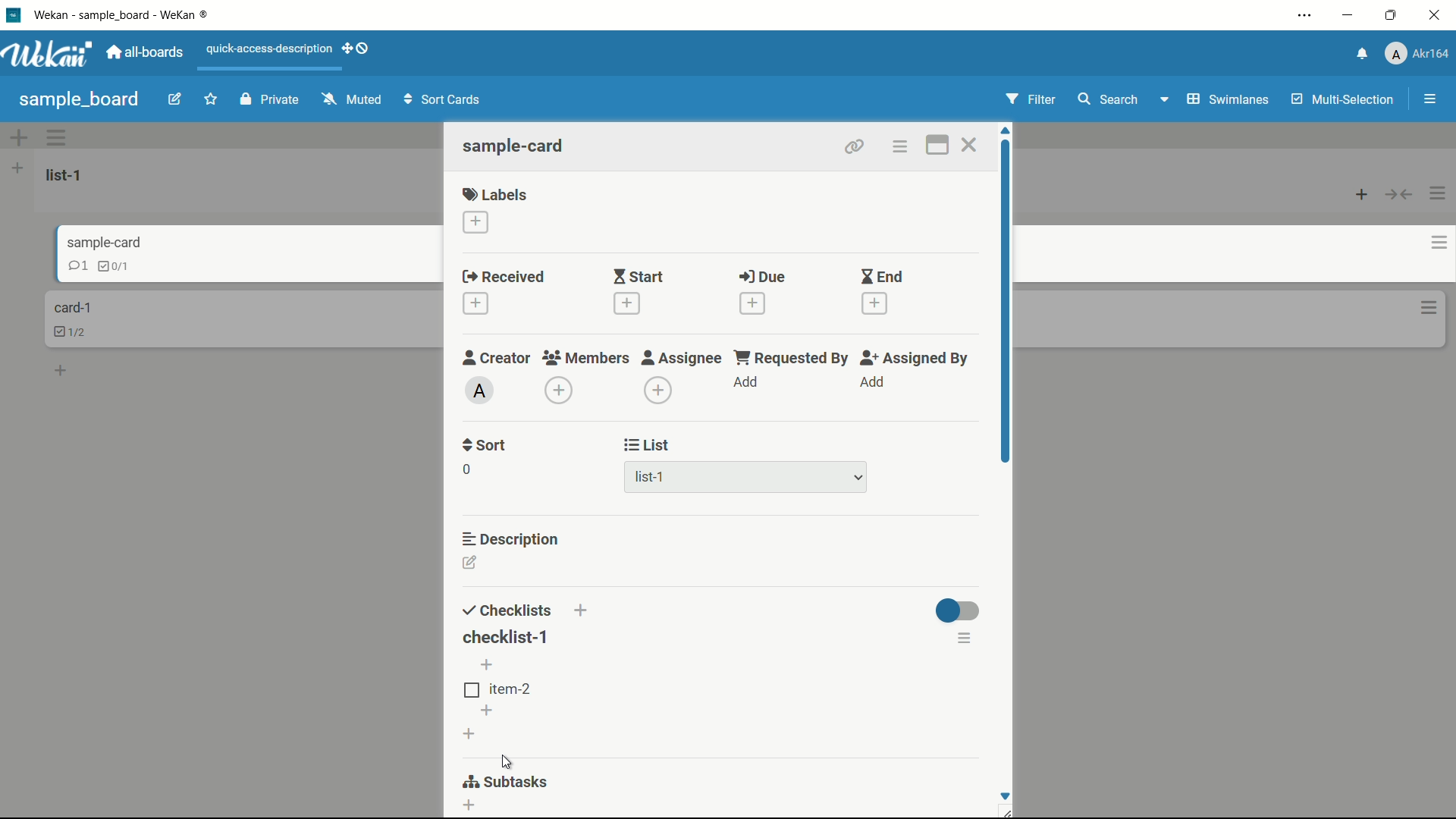 The height and width of the screenshot is (819, 1456). Describe the element at coordinates (900, 146) in the screenshot. I see `card actions` at that location.